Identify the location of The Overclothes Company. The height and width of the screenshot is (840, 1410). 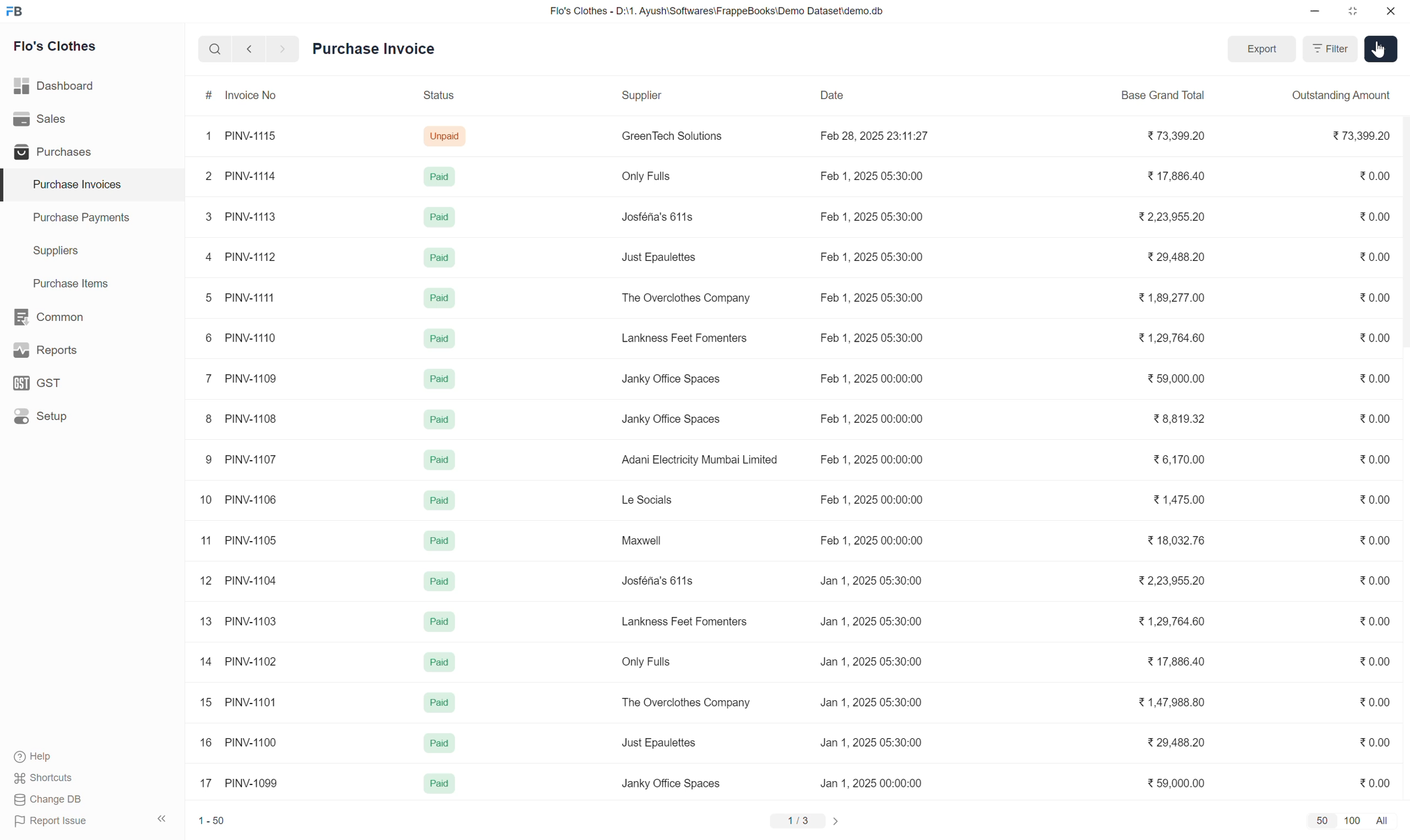
(690, 703).